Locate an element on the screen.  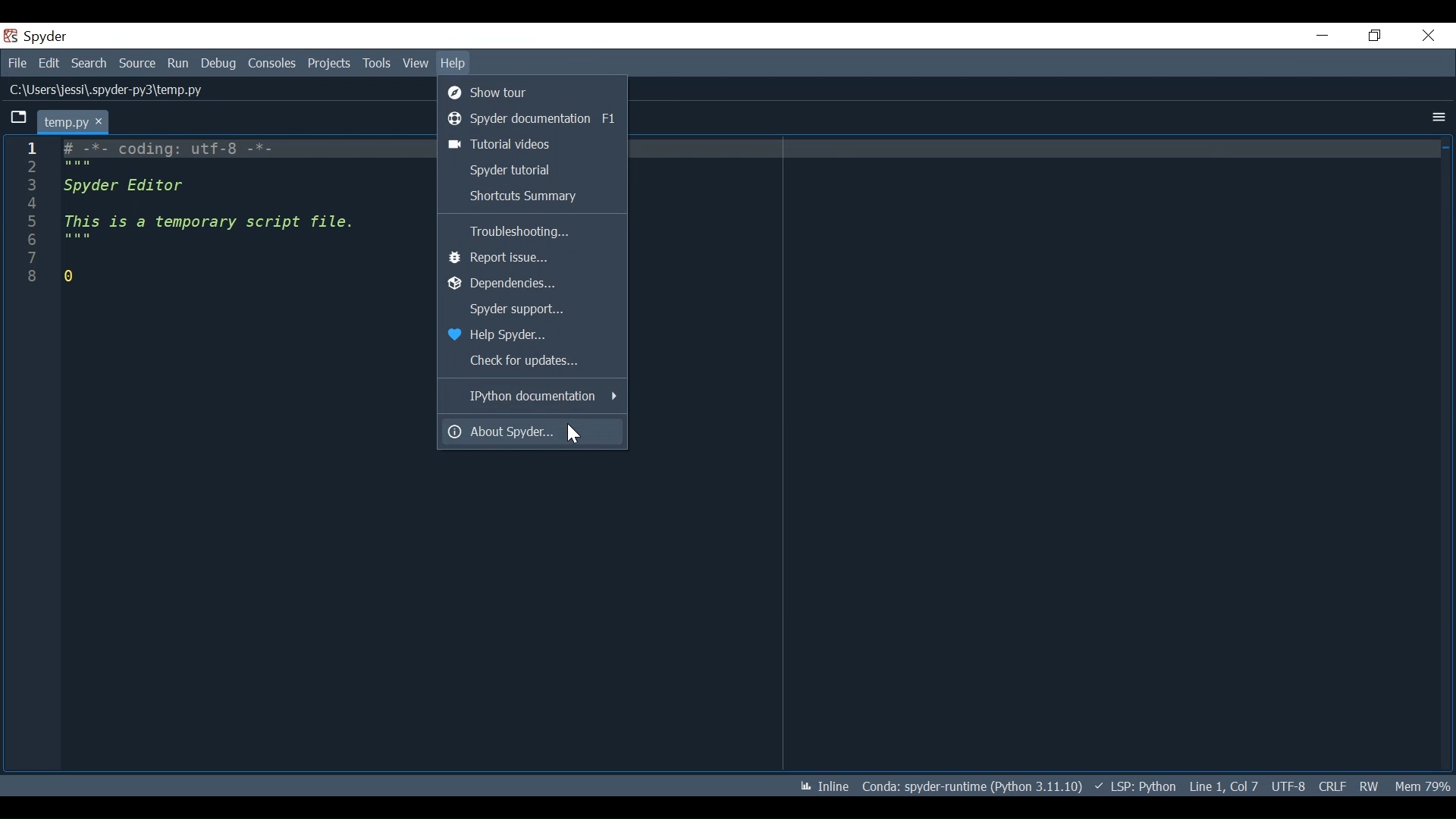
Restore is located at coordinates (1376, 35).